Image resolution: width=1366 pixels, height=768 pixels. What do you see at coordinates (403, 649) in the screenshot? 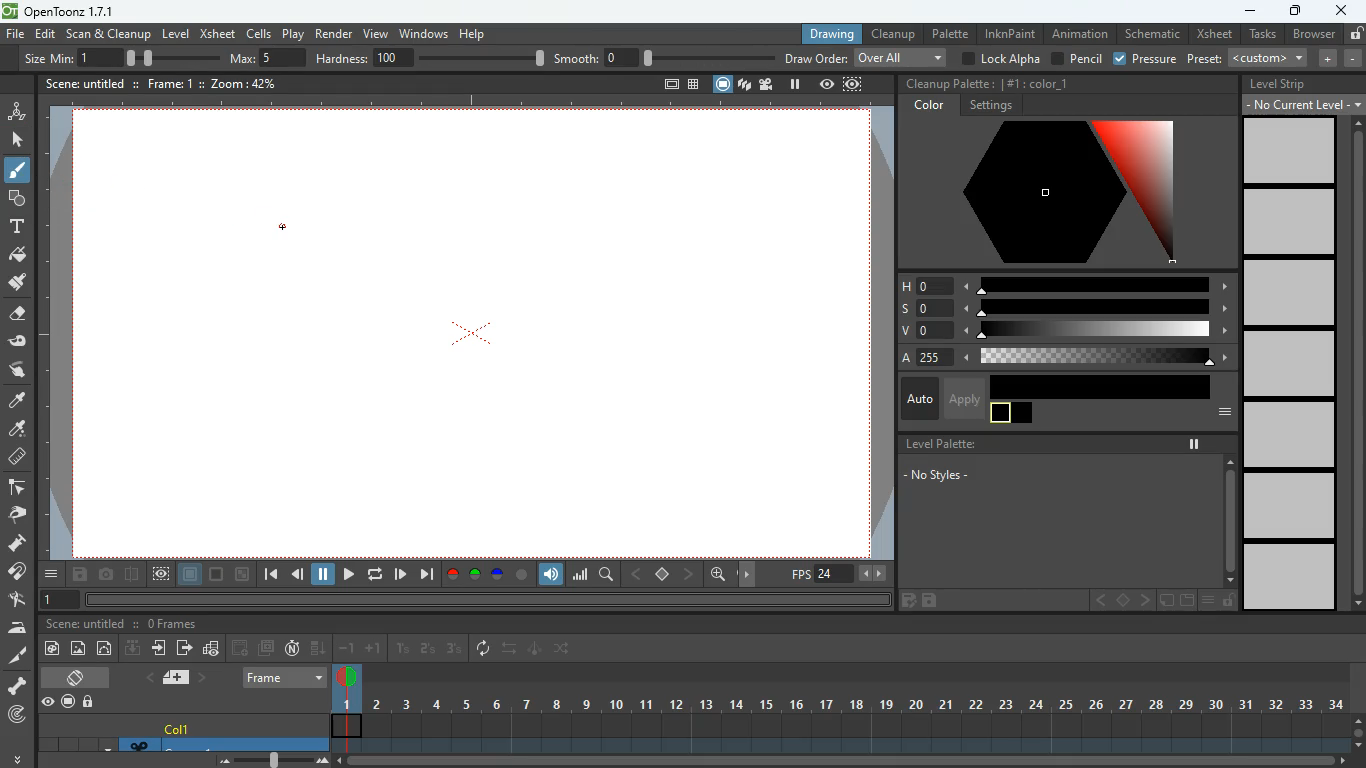
I see `1` at bounding box center [403, 649].